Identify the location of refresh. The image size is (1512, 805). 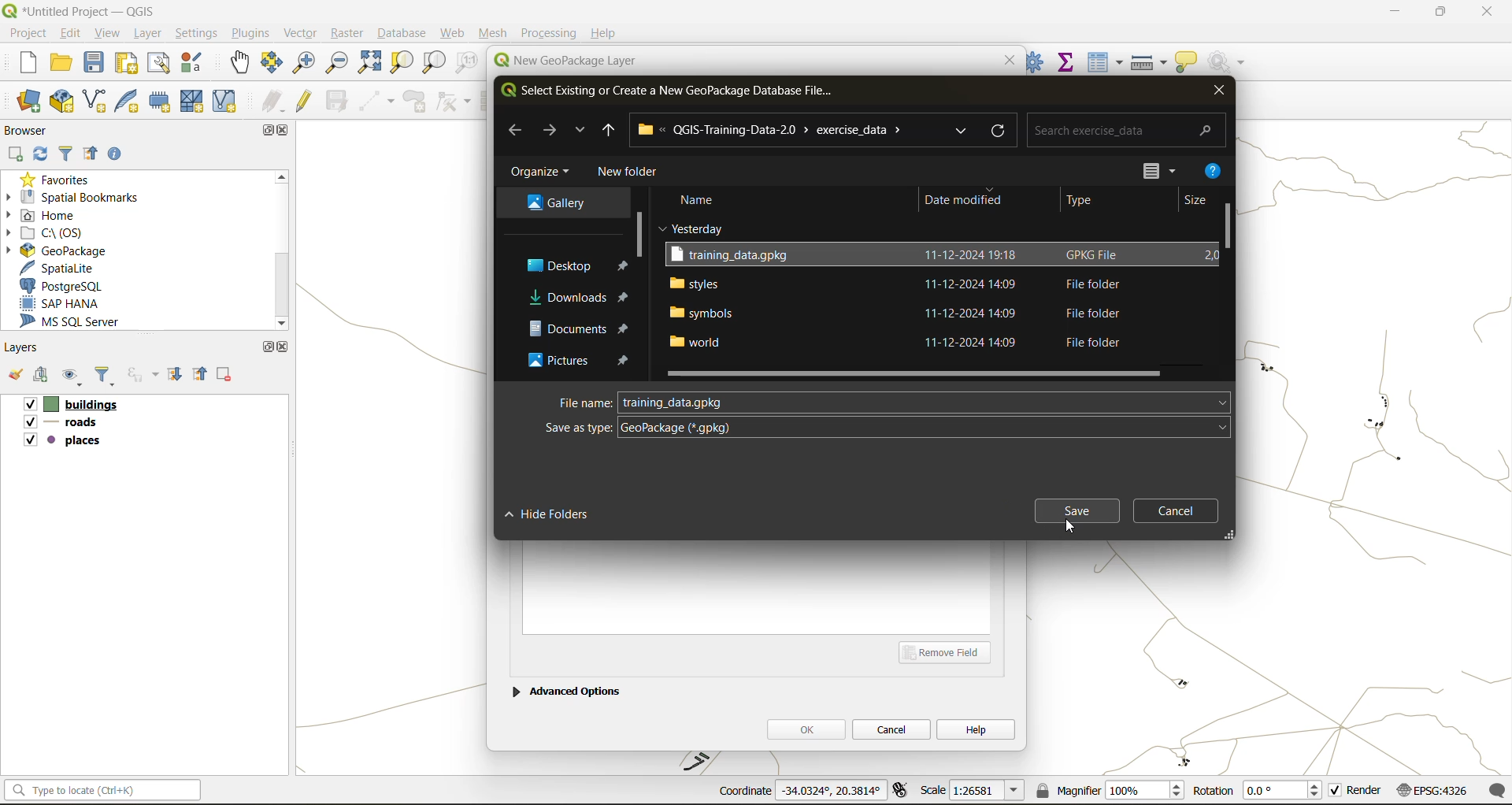
(1001, 129).